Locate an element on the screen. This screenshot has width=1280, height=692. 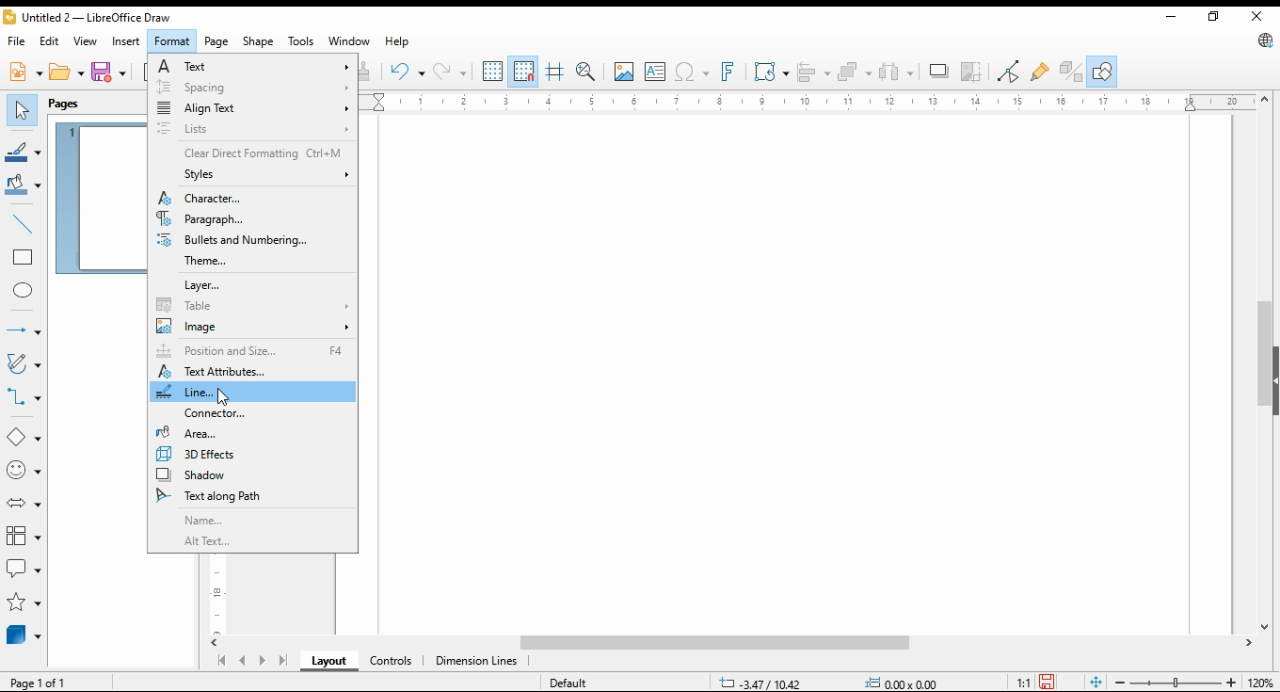
minimize is located at coordinates (1174, 13).